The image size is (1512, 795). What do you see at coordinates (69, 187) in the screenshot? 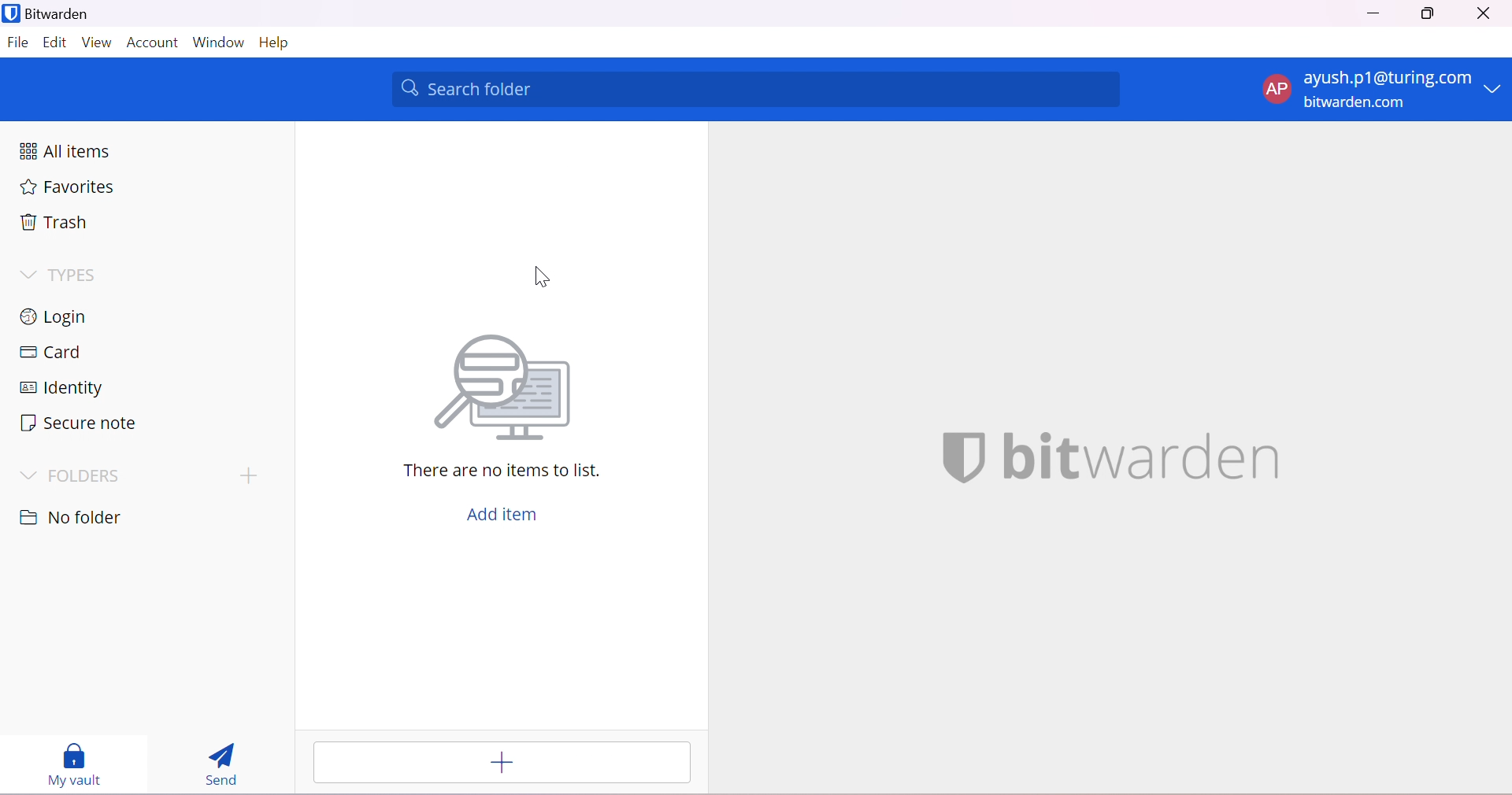
I see `Favorites` at bounding box center [69, 187].